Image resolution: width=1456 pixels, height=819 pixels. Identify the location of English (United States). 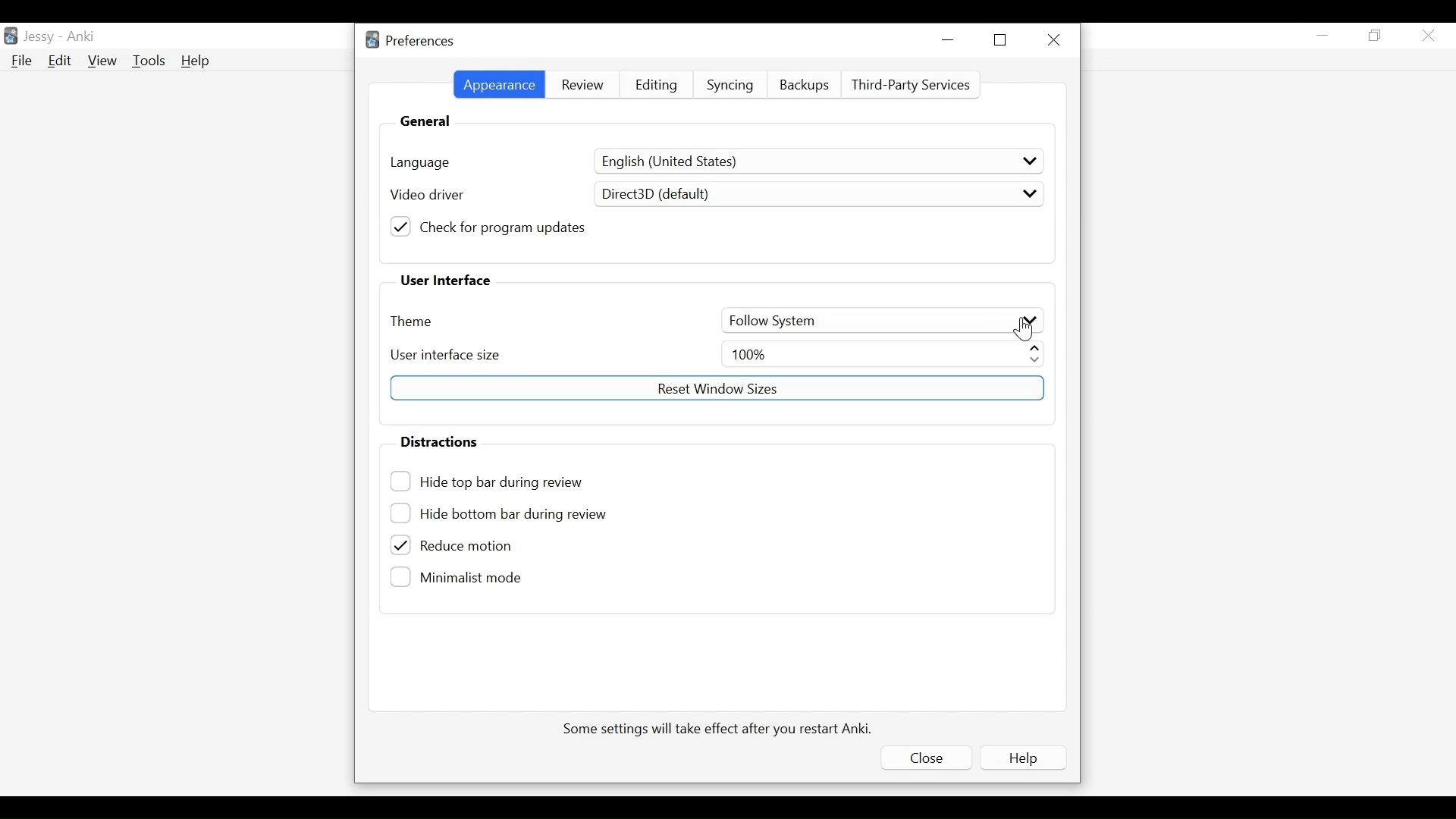
(821, 162).